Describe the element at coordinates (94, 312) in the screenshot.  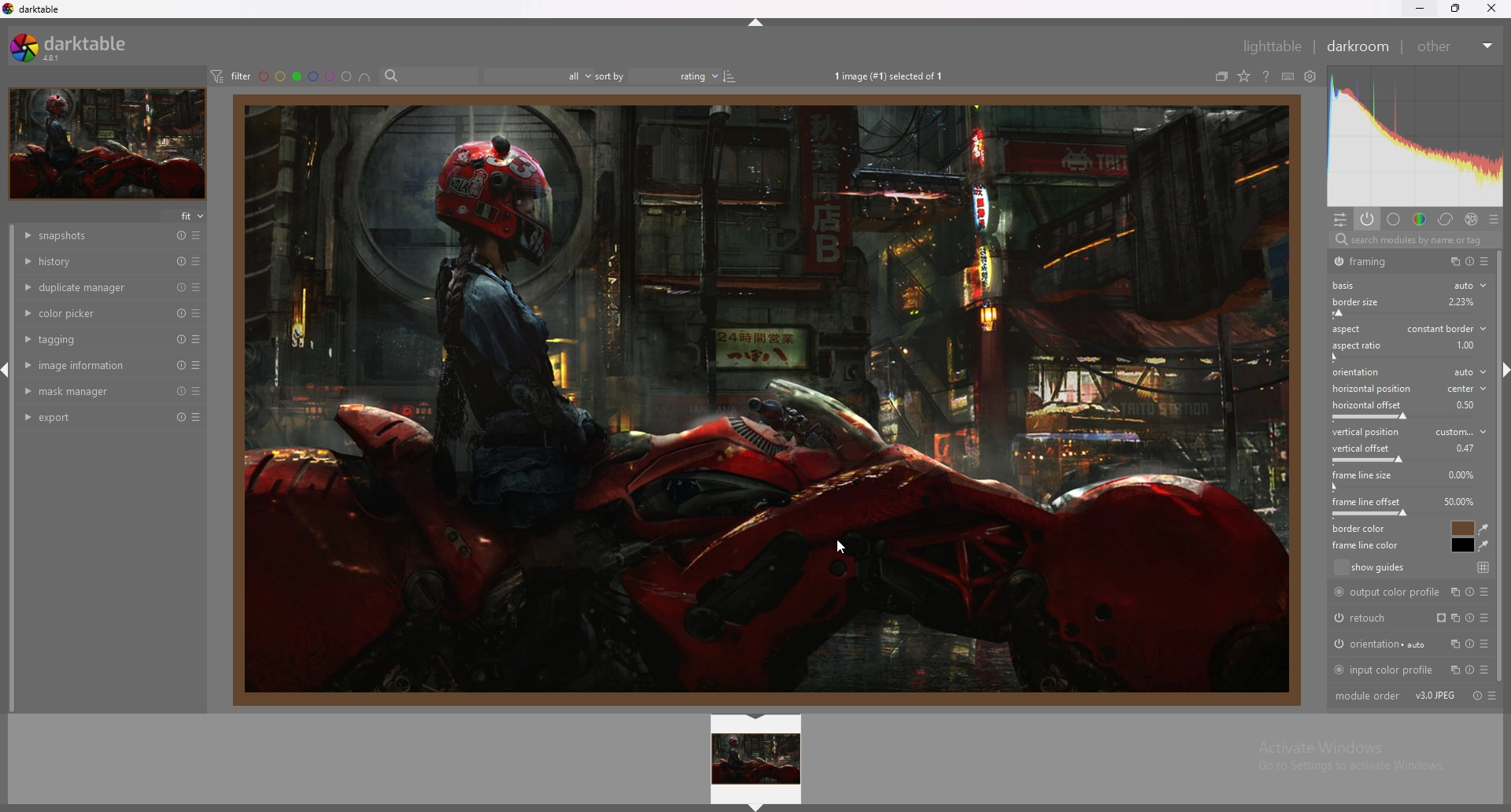
I see `color picker` at that location.